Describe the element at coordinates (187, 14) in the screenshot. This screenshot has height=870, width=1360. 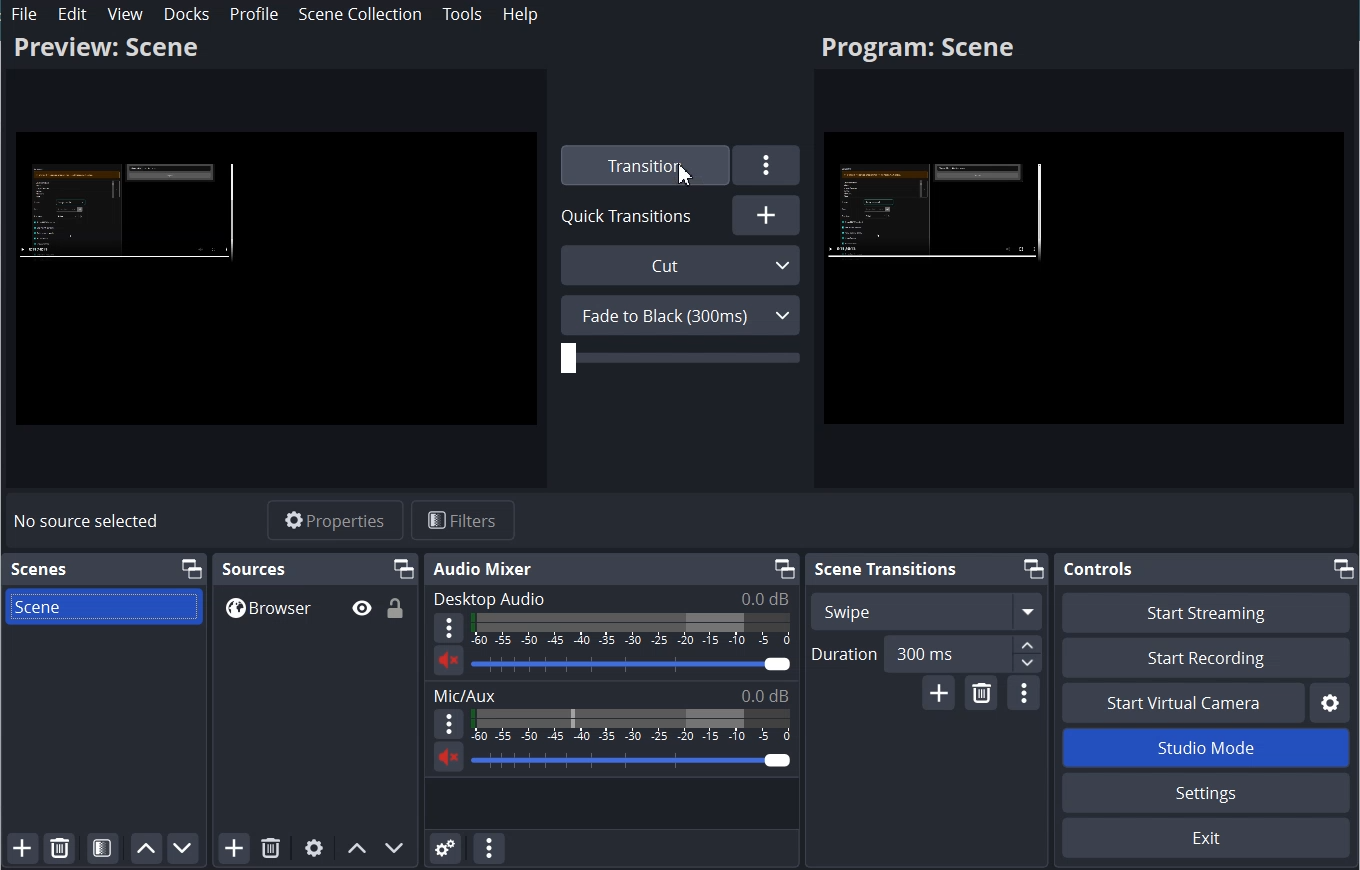
I see `Docks` at that location.